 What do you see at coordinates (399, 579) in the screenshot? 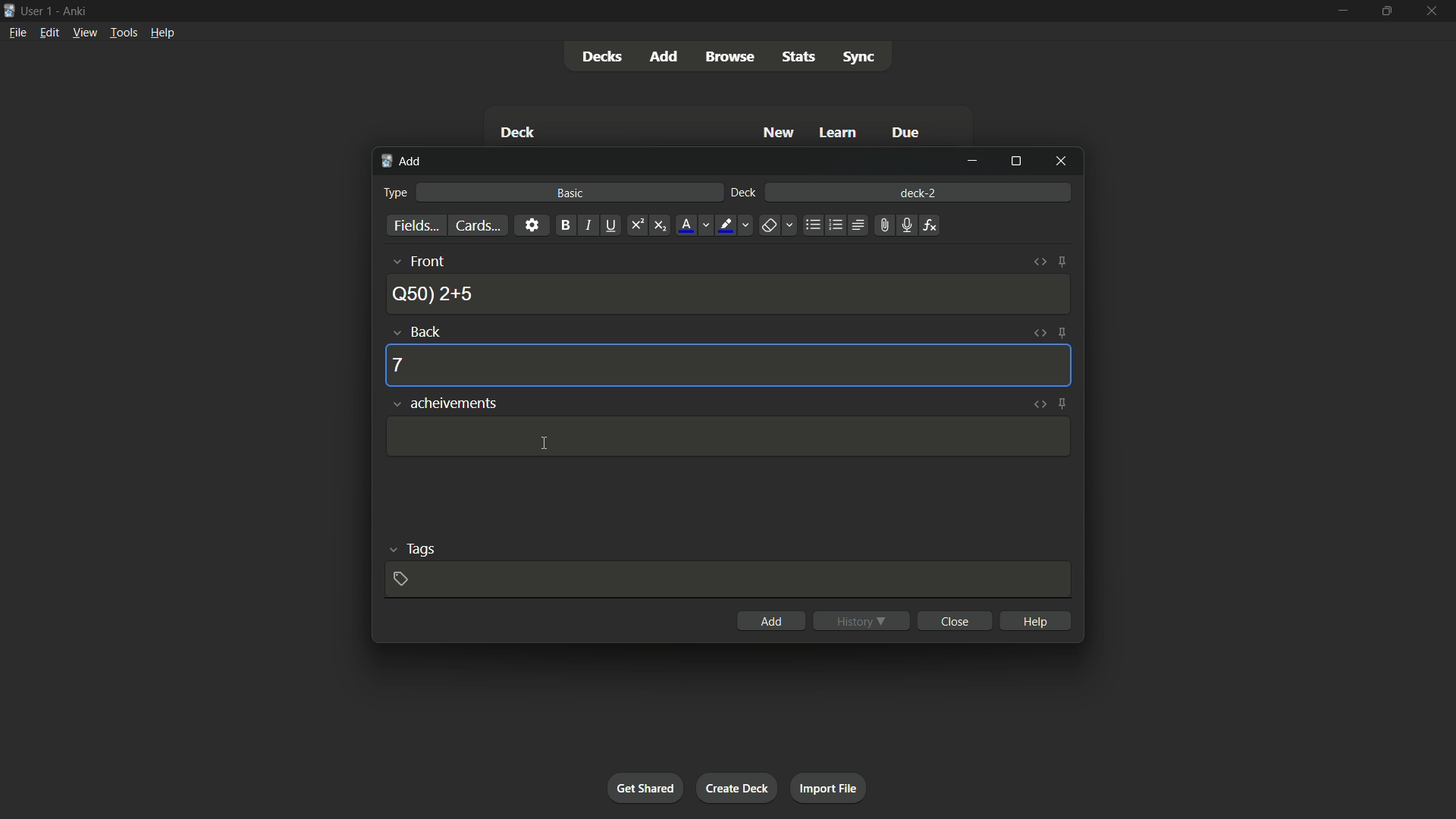
I see `add tag` at bounding box center [399, 579].